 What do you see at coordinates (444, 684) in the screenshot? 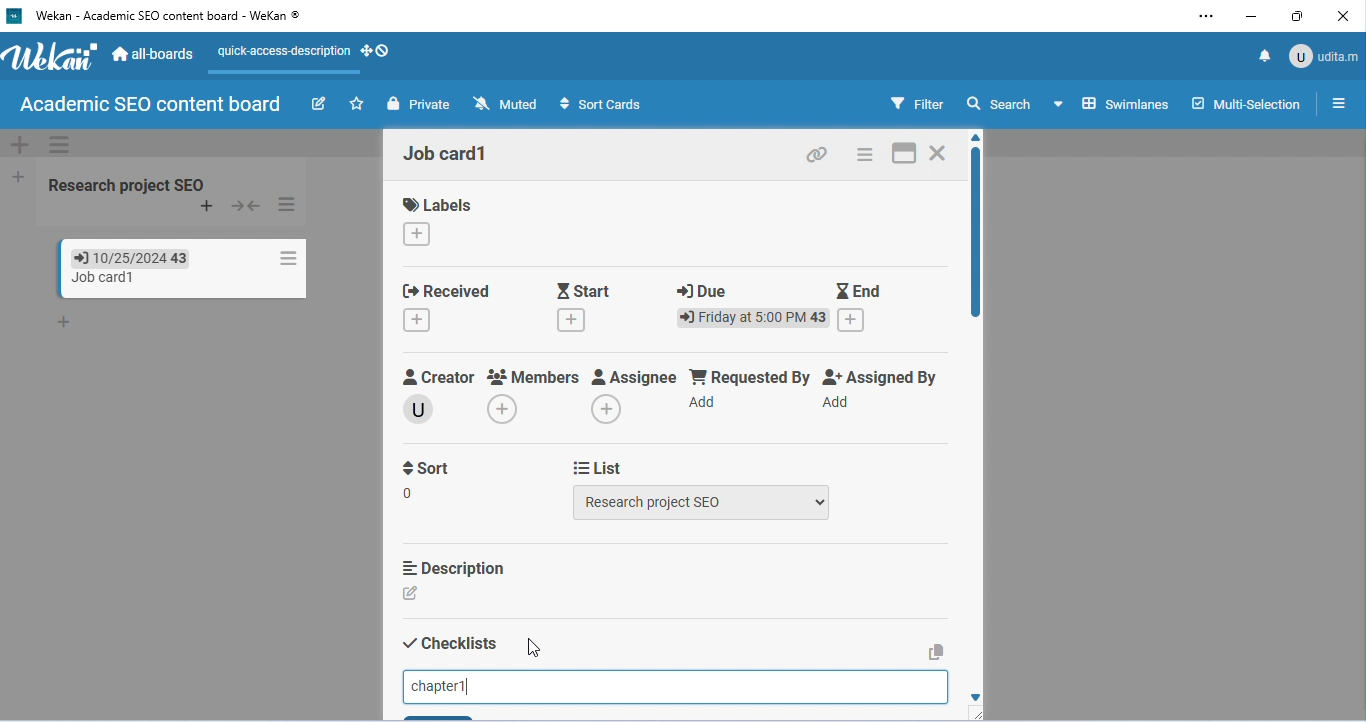
I see `chapter1 is typed as a checklist name` at bounding box center [444, 684].